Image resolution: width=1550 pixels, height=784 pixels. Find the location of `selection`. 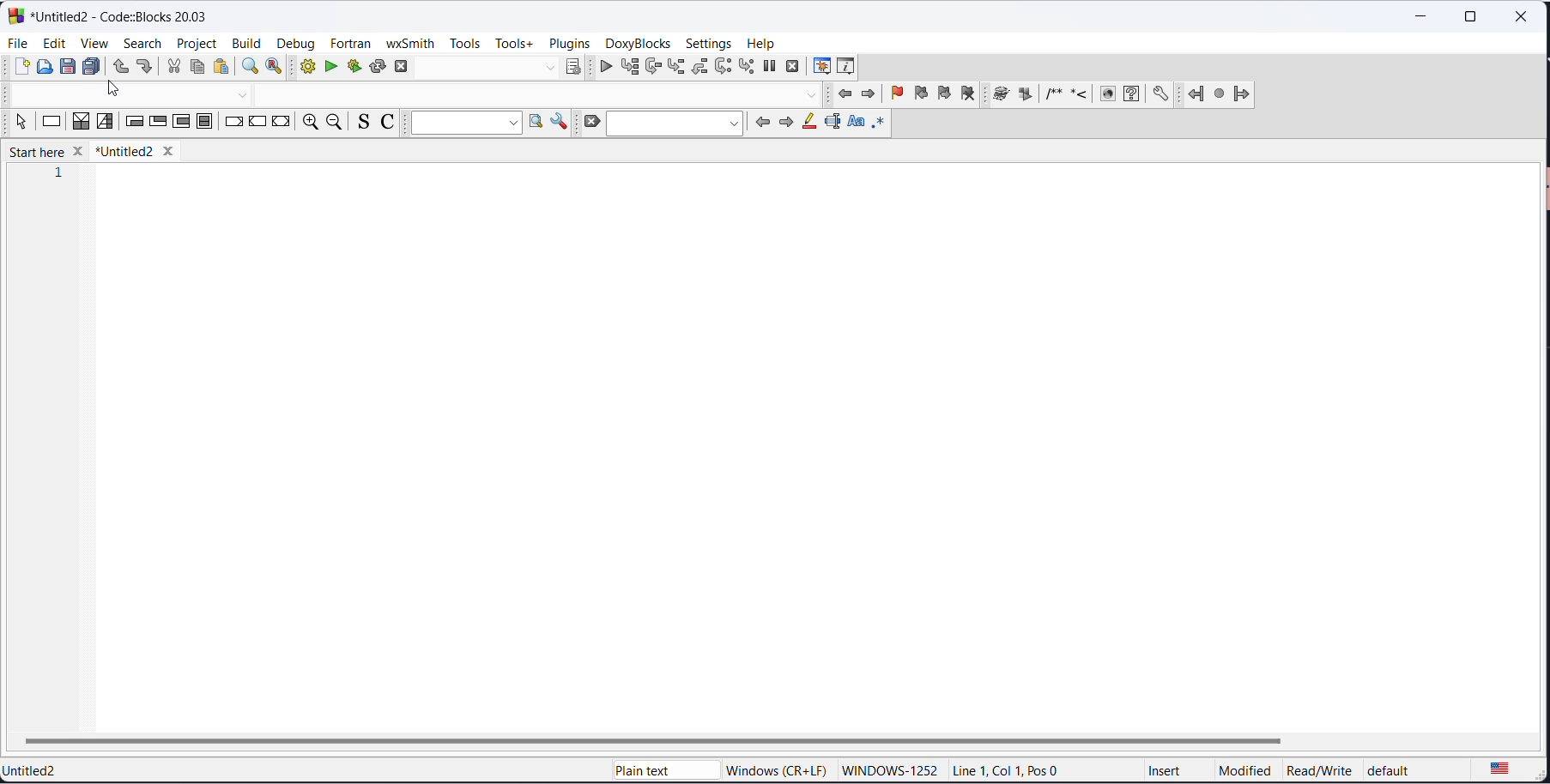

selection is located at coordinates (106, 121).